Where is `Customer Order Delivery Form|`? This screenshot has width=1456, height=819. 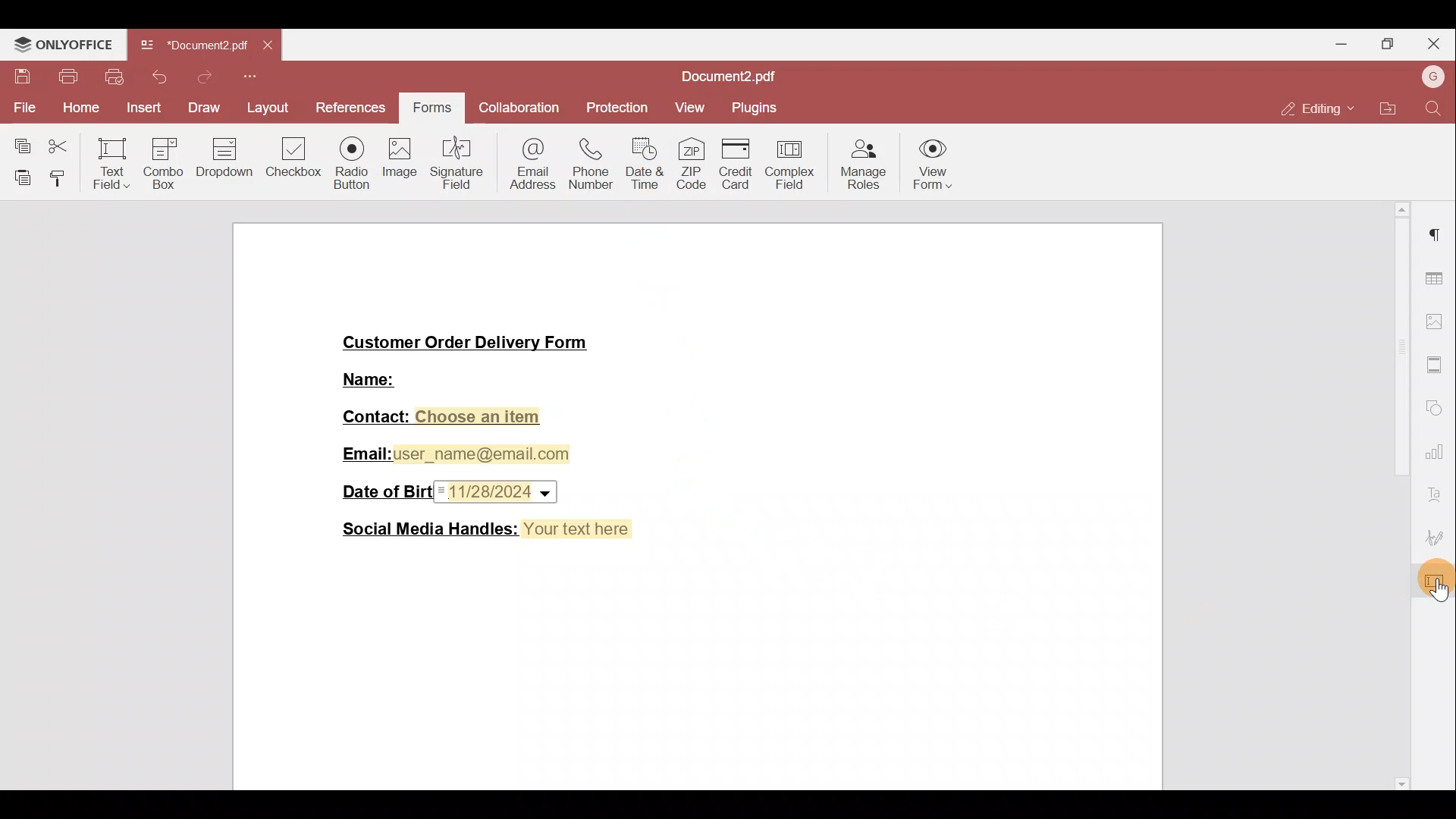 Customer Order Delivery Form| is located at coordinates (467, 343).